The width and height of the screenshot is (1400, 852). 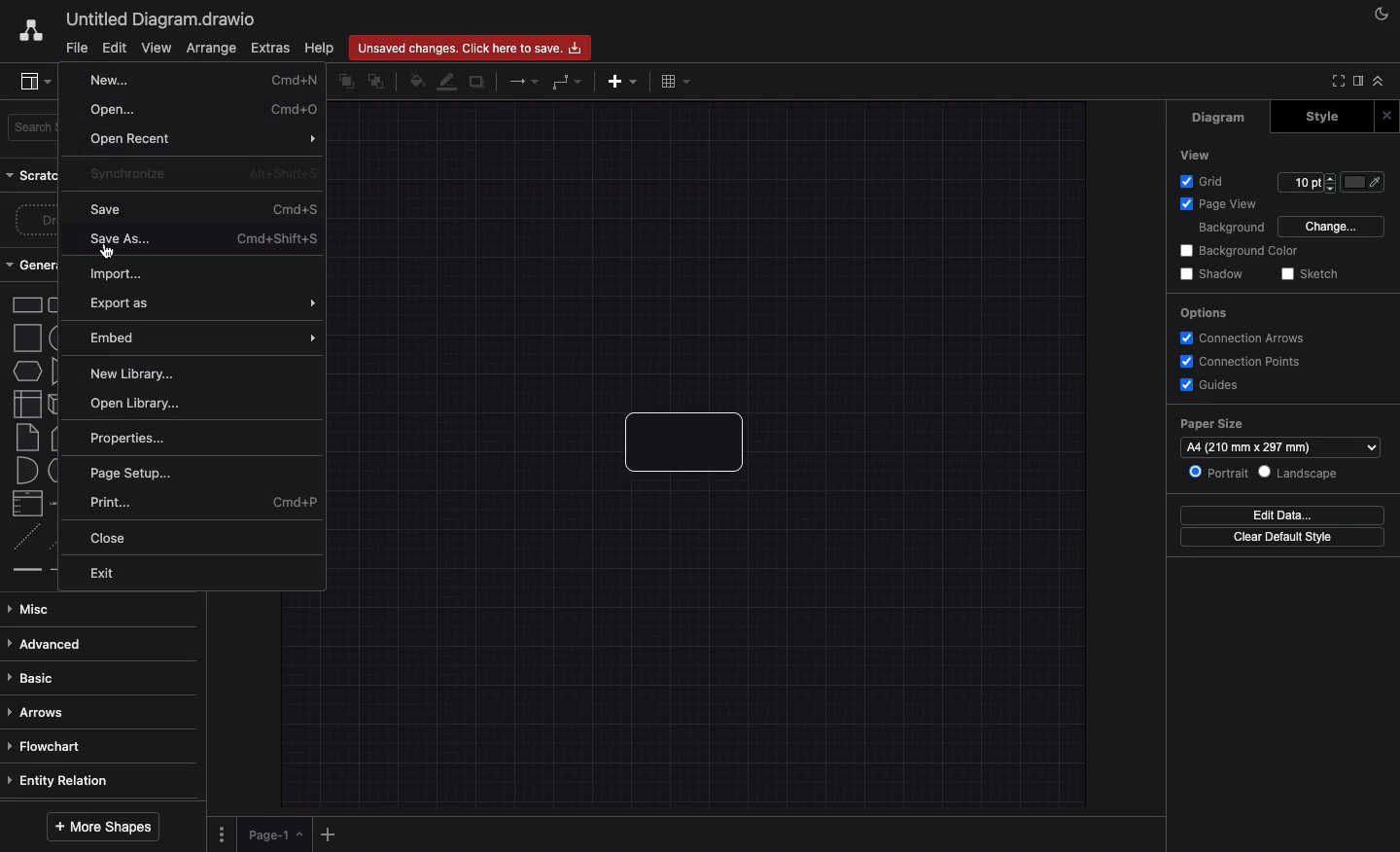 I want to click on Collapse, so click(x=1379, y=82).